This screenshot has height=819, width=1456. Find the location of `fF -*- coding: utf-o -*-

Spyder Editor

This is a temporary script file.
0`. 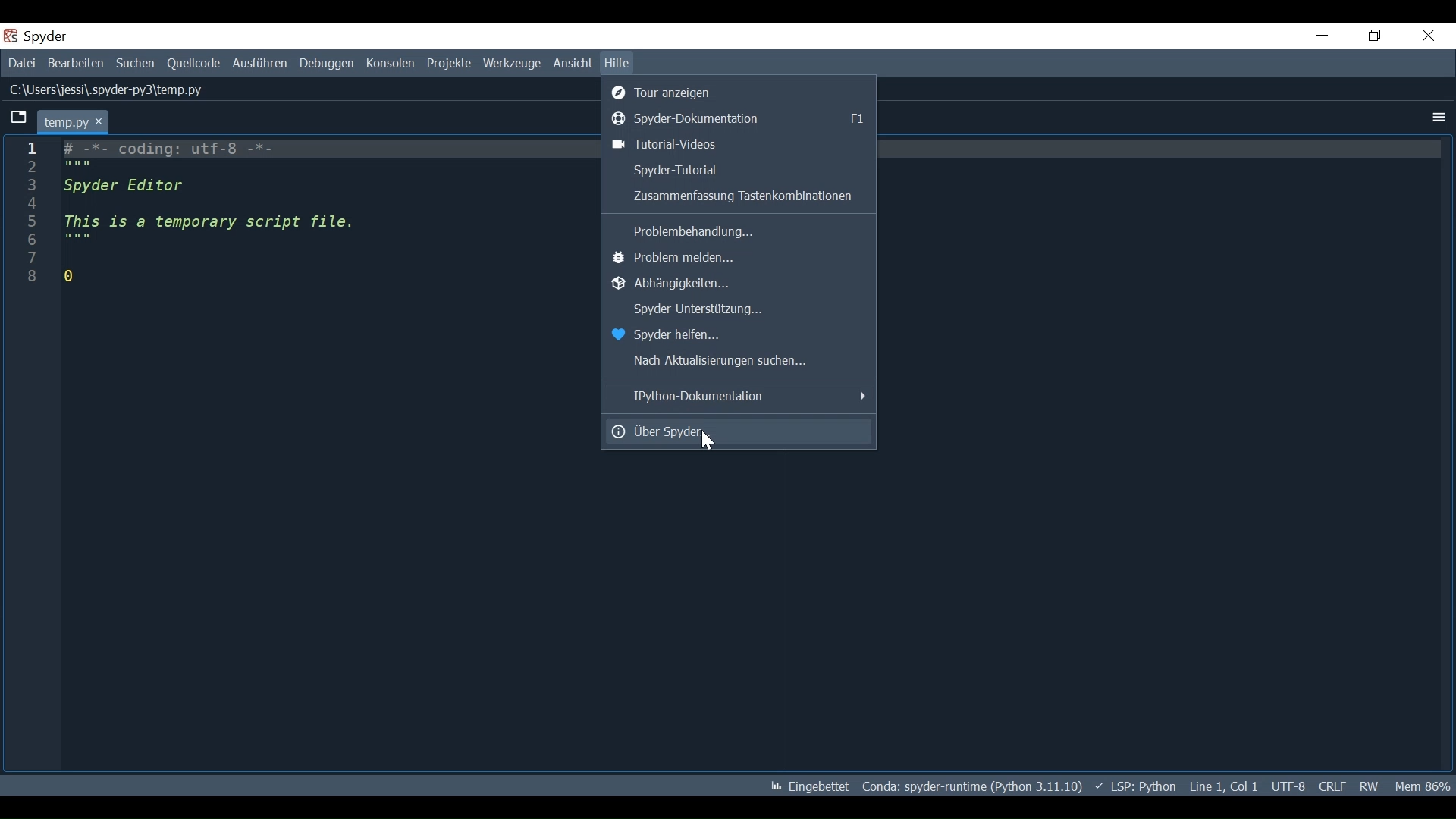

fF -*- coding: utf-o -*-

Spyder Editor

This is a temporary script file.
0 is located at coordinates (215, 215).